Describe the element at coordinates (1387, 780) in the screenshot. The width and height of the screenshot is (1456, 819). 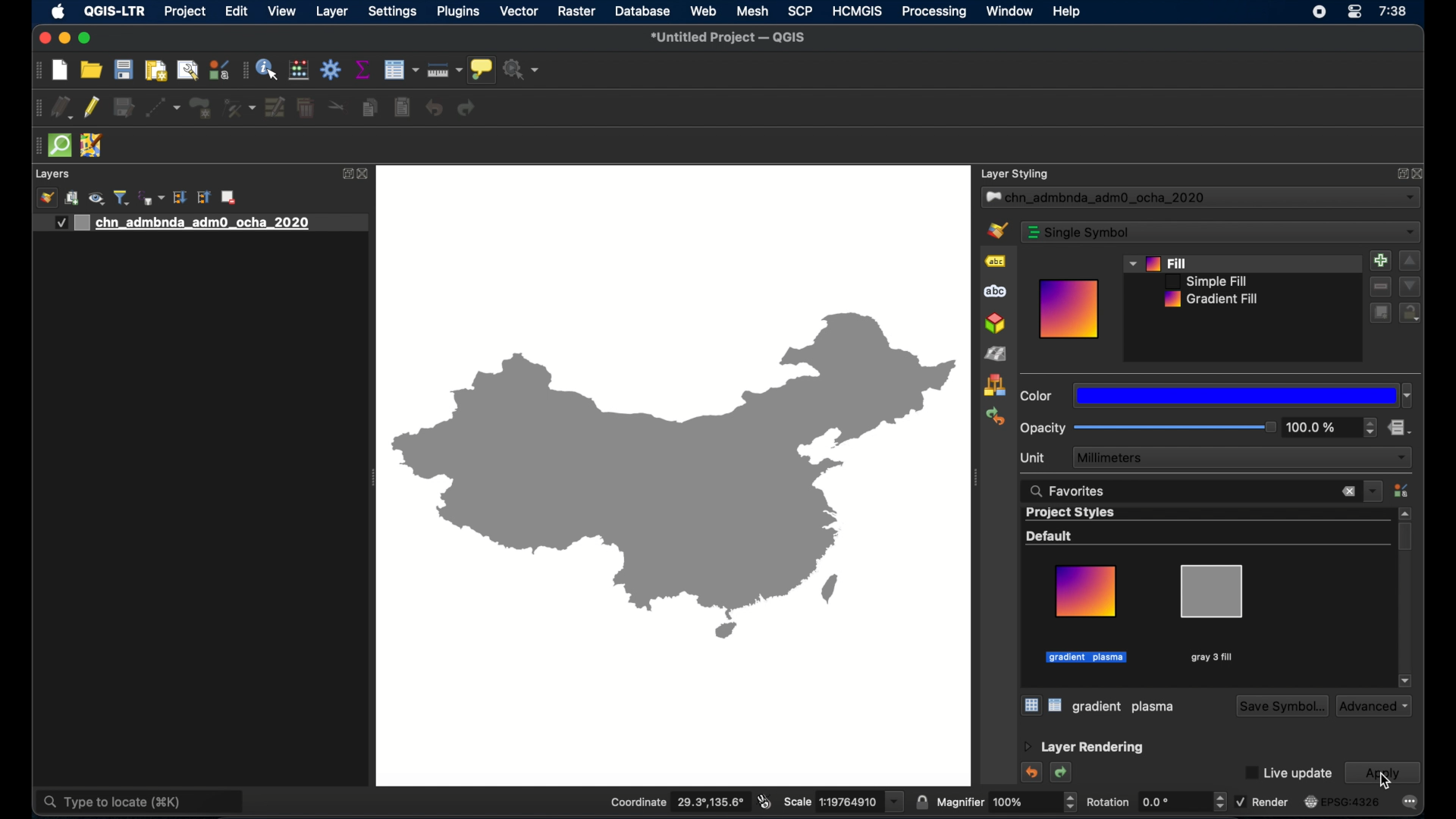
I see `cursor` at that location.